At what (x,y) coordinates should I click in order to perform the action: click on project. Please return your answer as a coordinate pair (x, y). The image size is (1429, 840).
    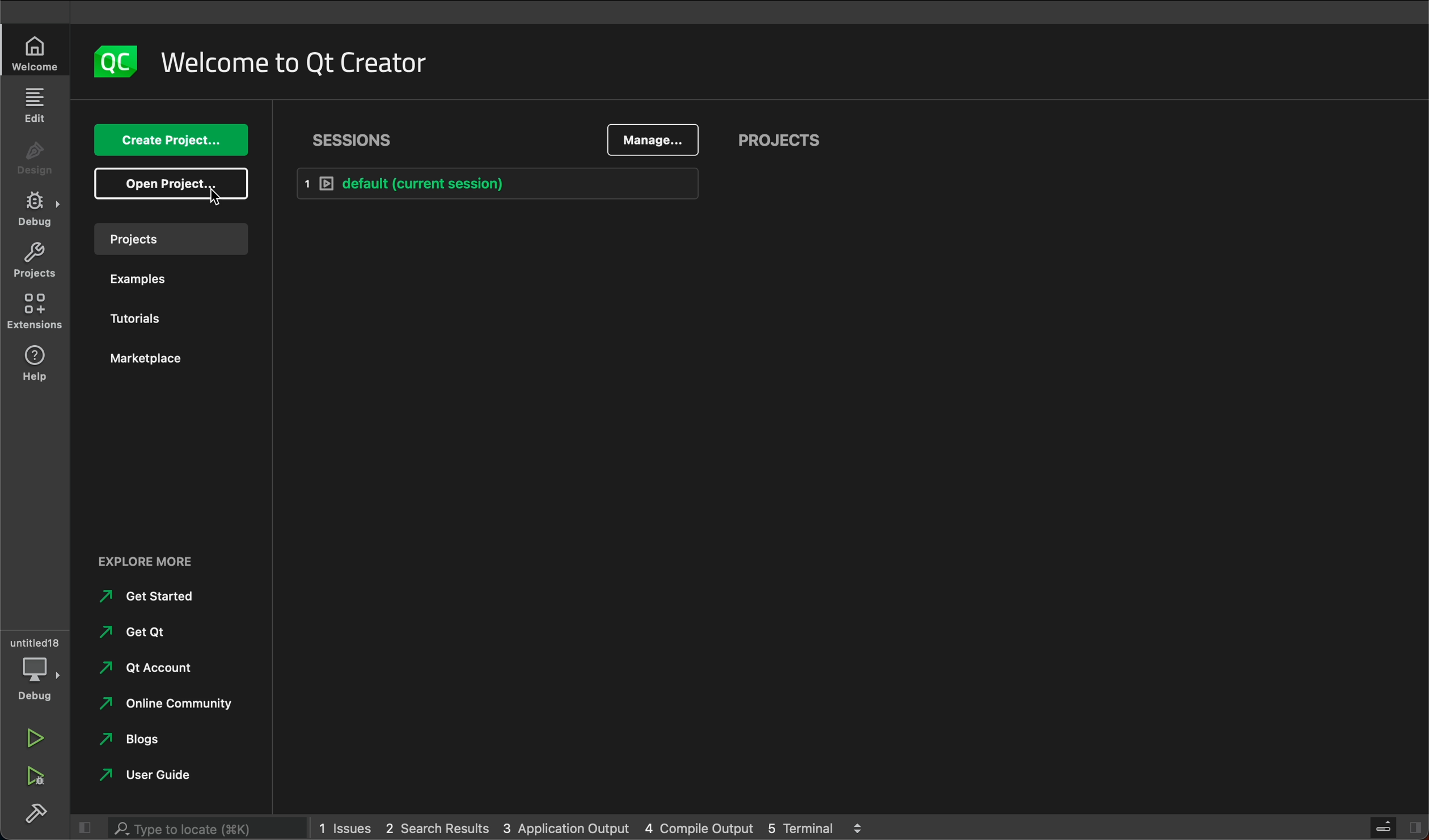
    Looking at the image, I should click on (177, 240).